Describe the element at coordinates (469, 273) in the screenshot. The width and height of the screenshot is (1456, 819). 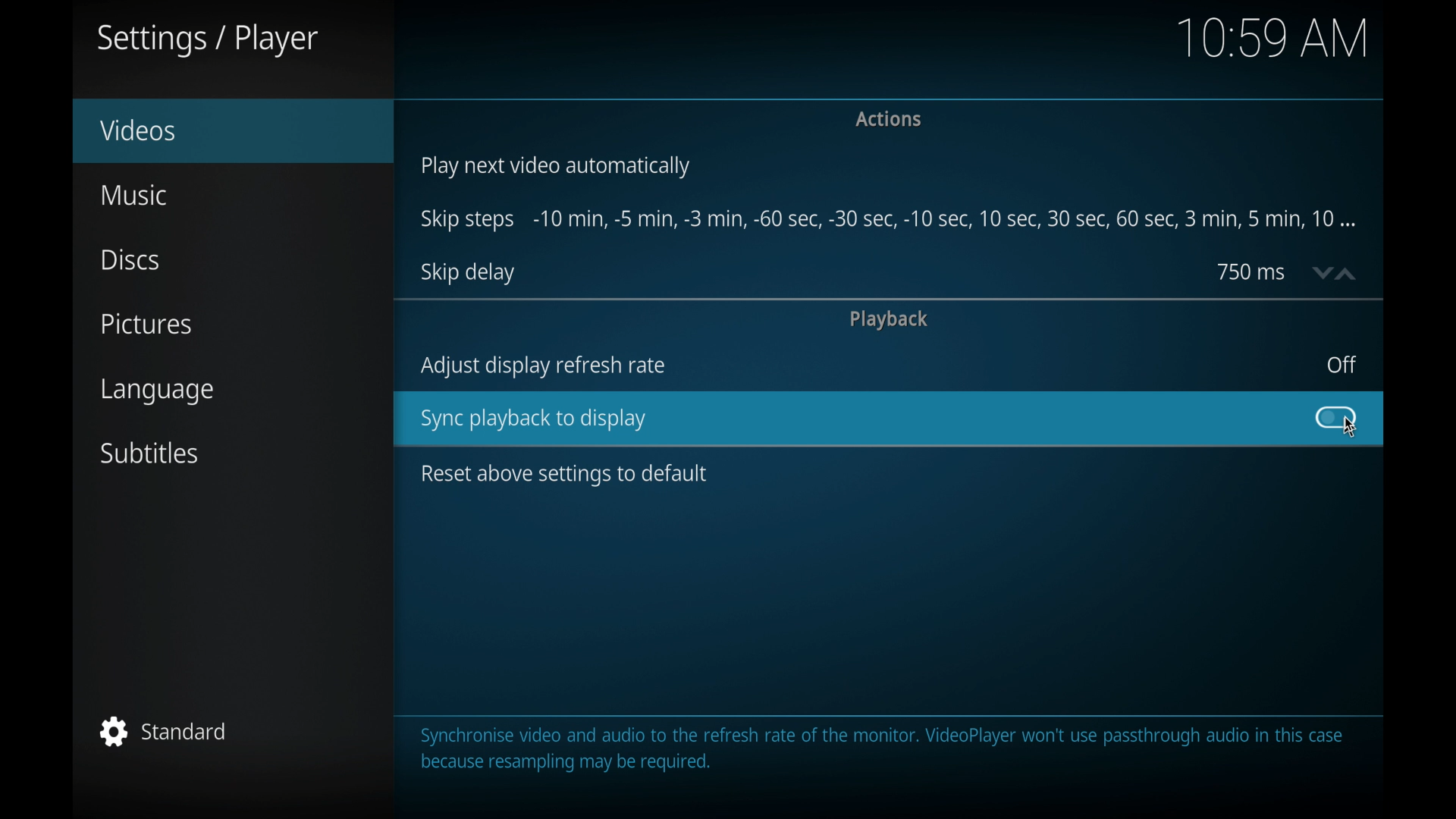
I see `skip delay` at that location.